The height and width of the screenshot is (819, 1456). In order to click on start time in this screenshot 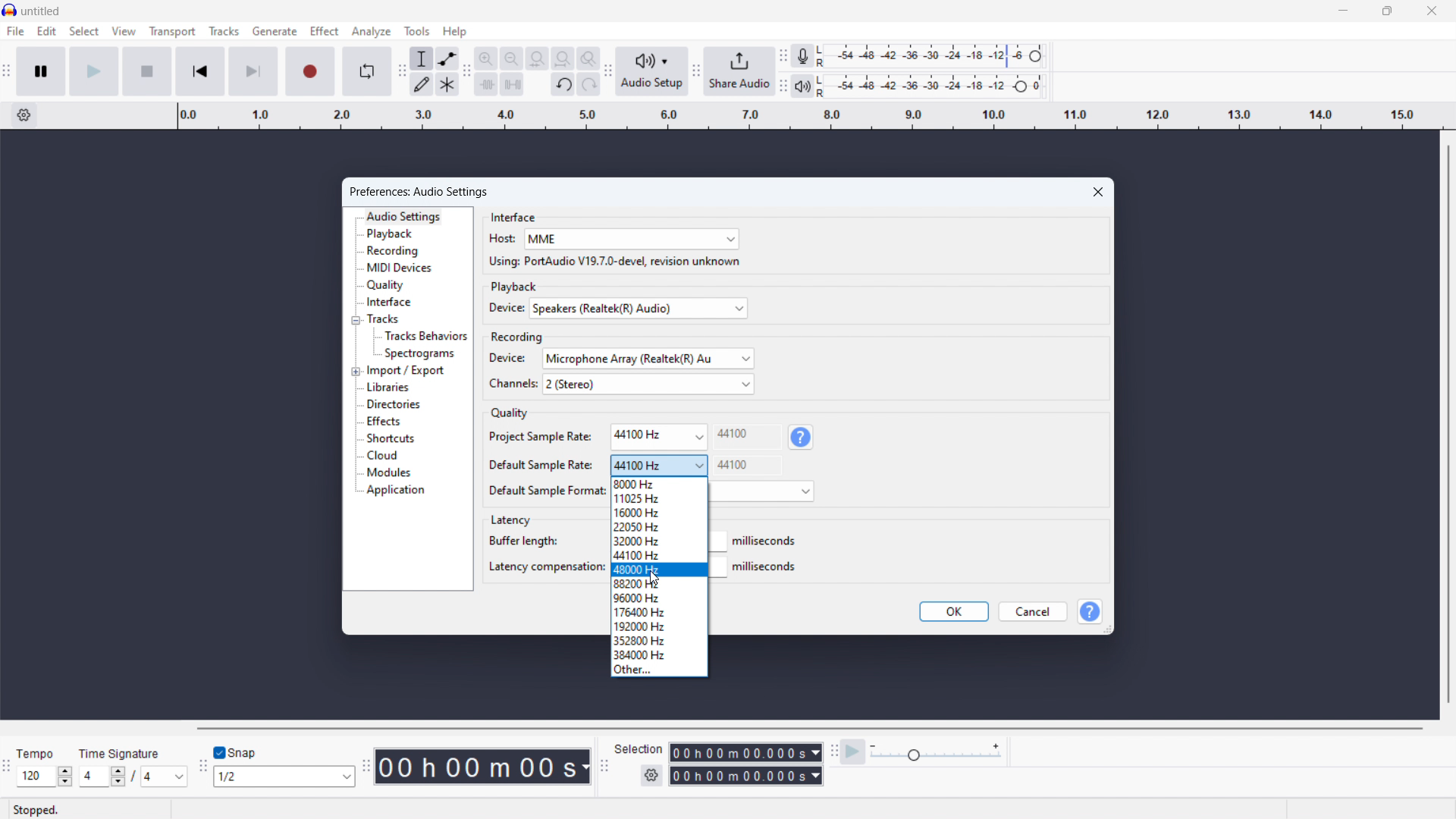, I will do `click(745, 752)`.